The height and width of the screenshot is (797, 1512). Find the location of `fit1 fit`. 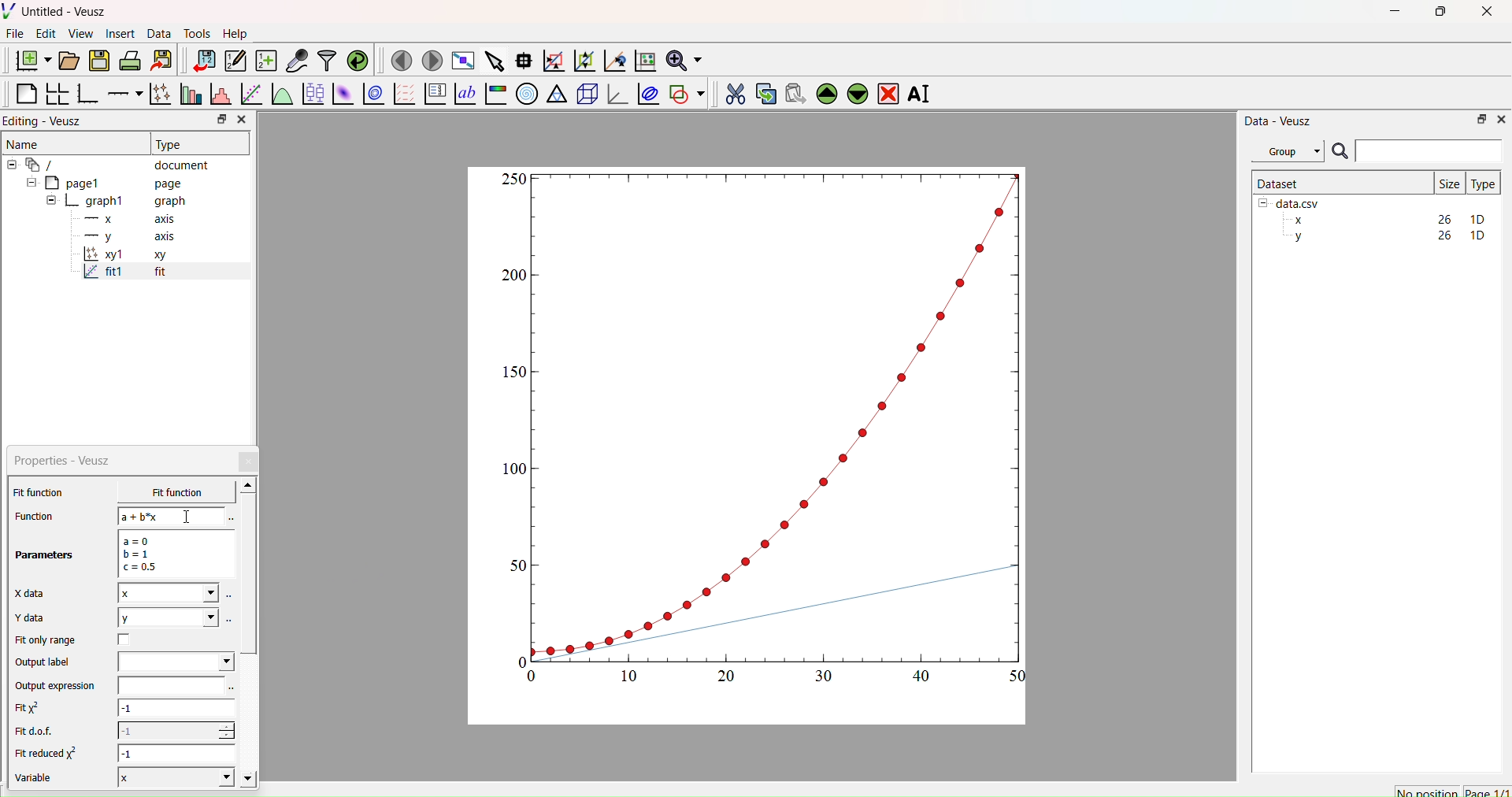

fit1 fit is located at coordinates (123, 275).